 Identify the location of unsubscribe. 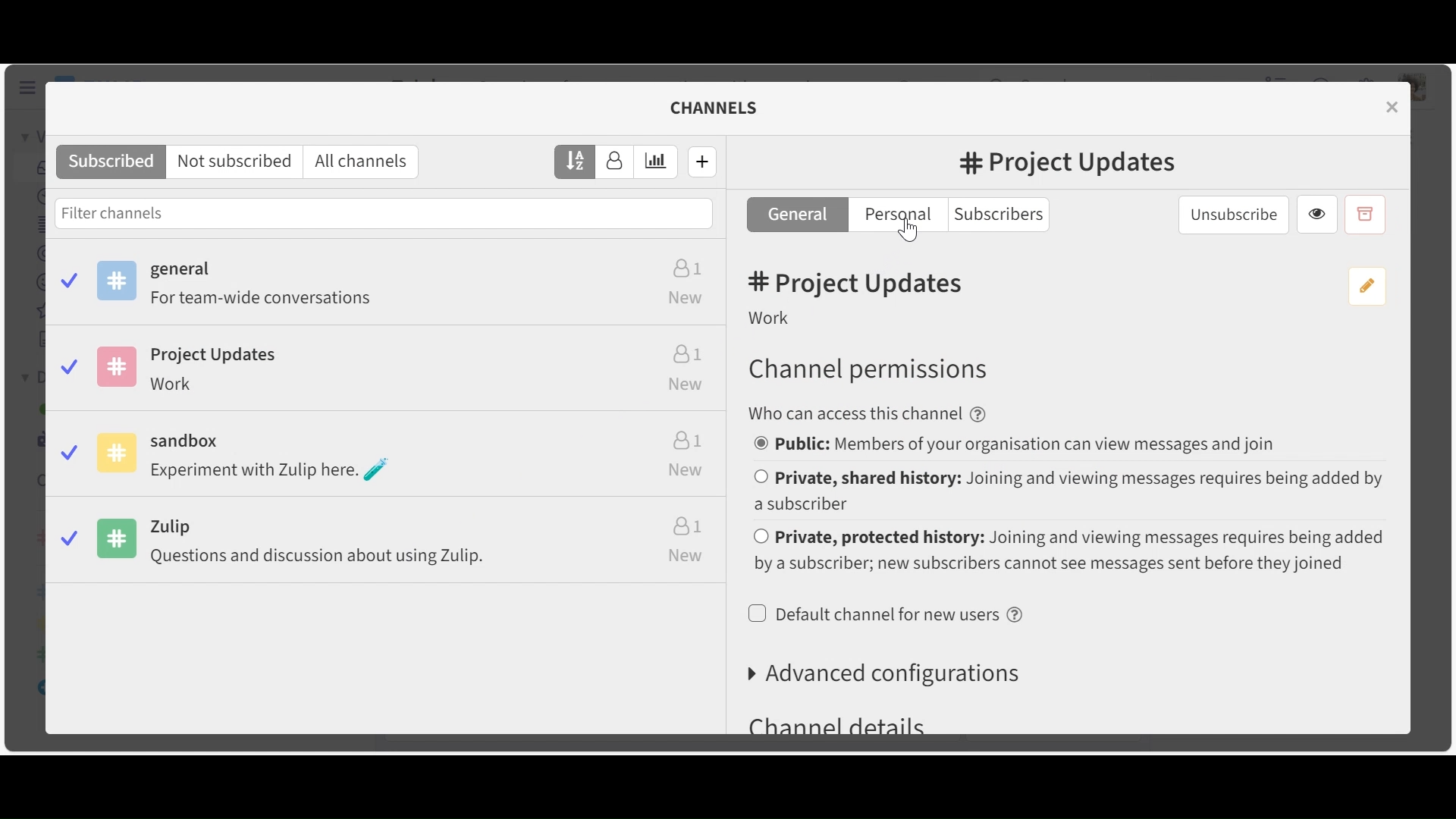
(1234, 214).